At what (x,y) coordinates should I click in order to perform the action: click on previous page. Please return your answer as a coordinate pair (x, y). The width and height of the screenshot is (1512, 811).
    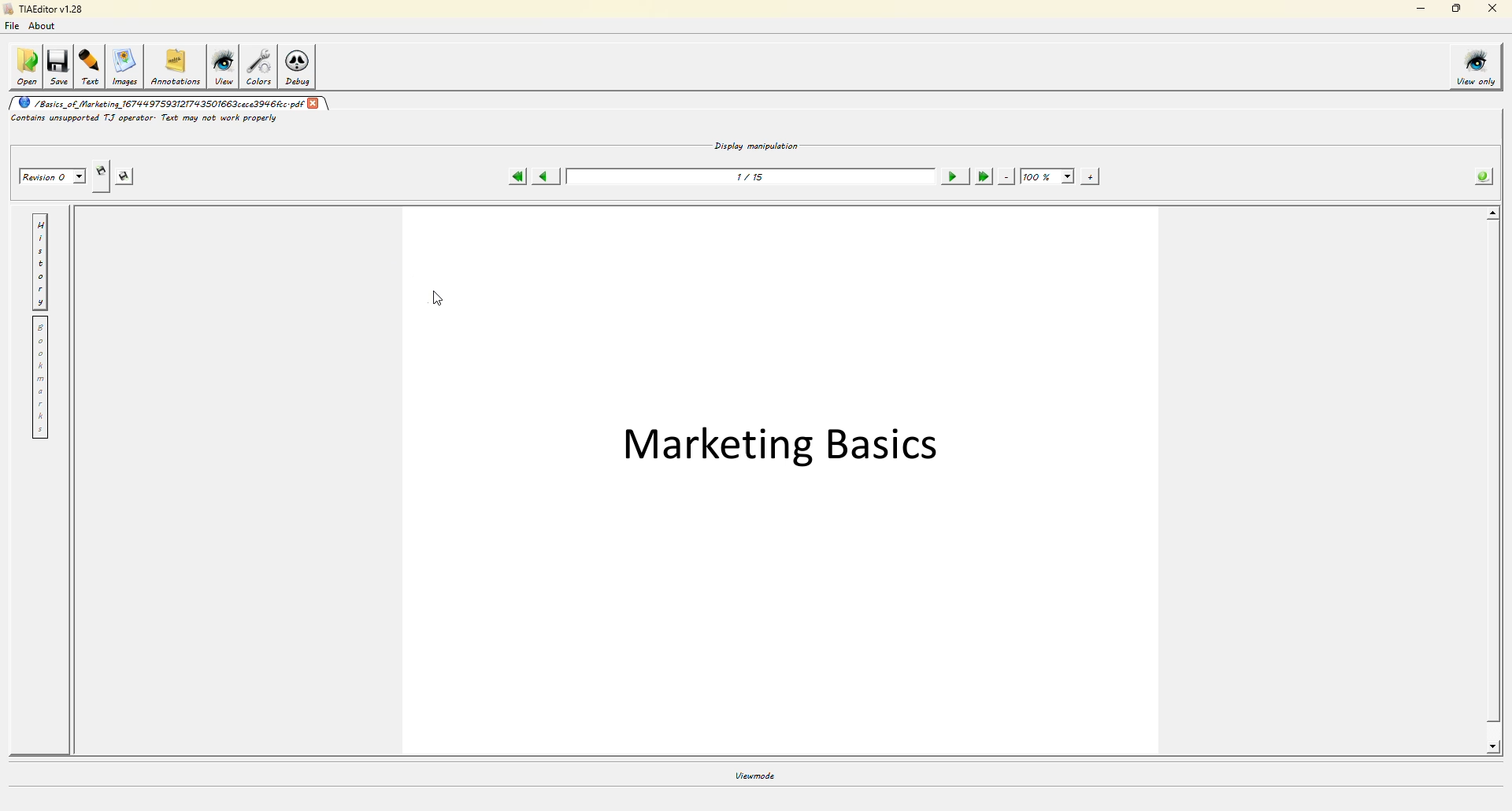
    Looking at the image, I should click on (547, 176).